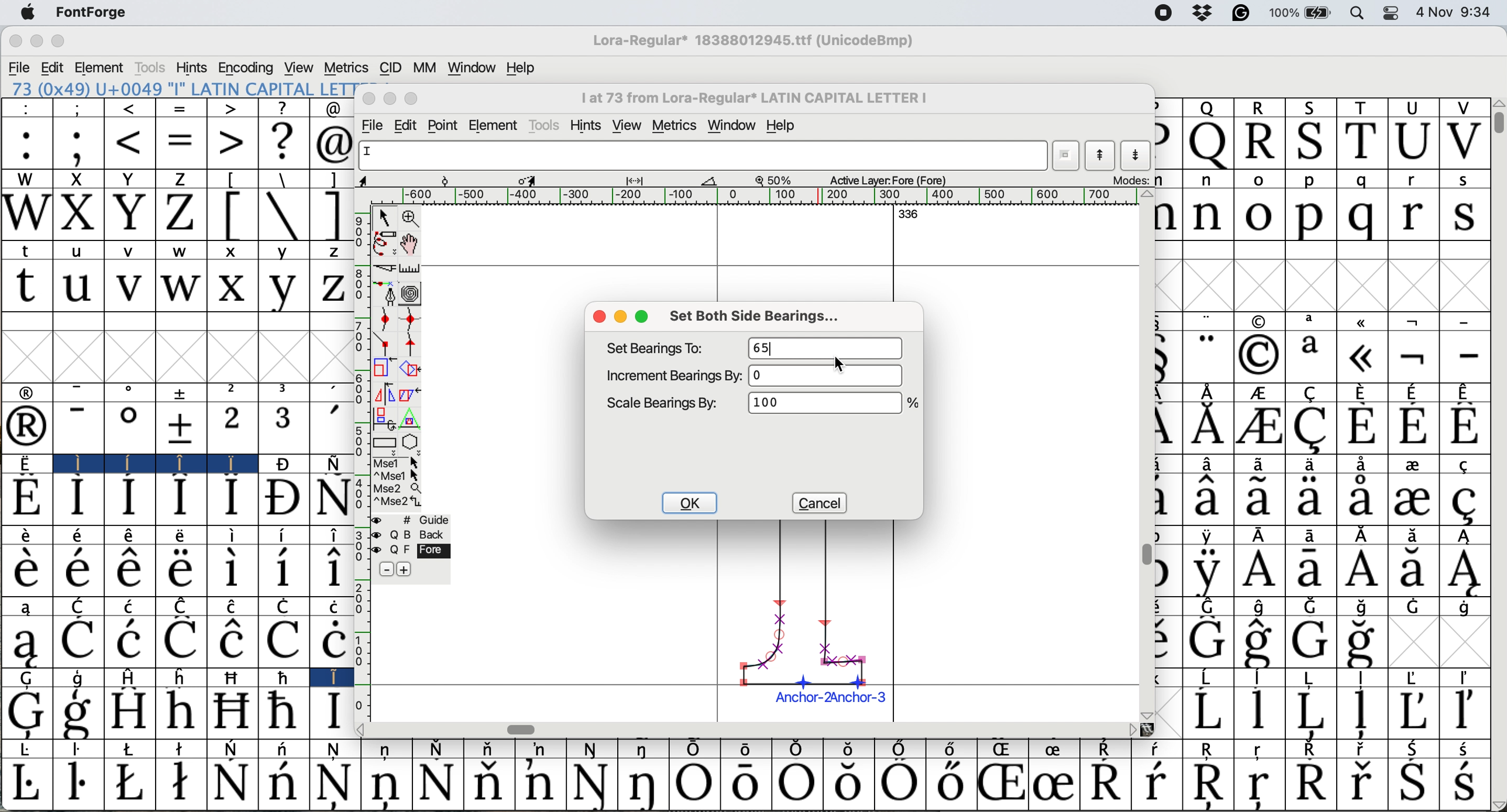 This screenshot has height=812, width=1507. I want to click on :, so click(26, 143).